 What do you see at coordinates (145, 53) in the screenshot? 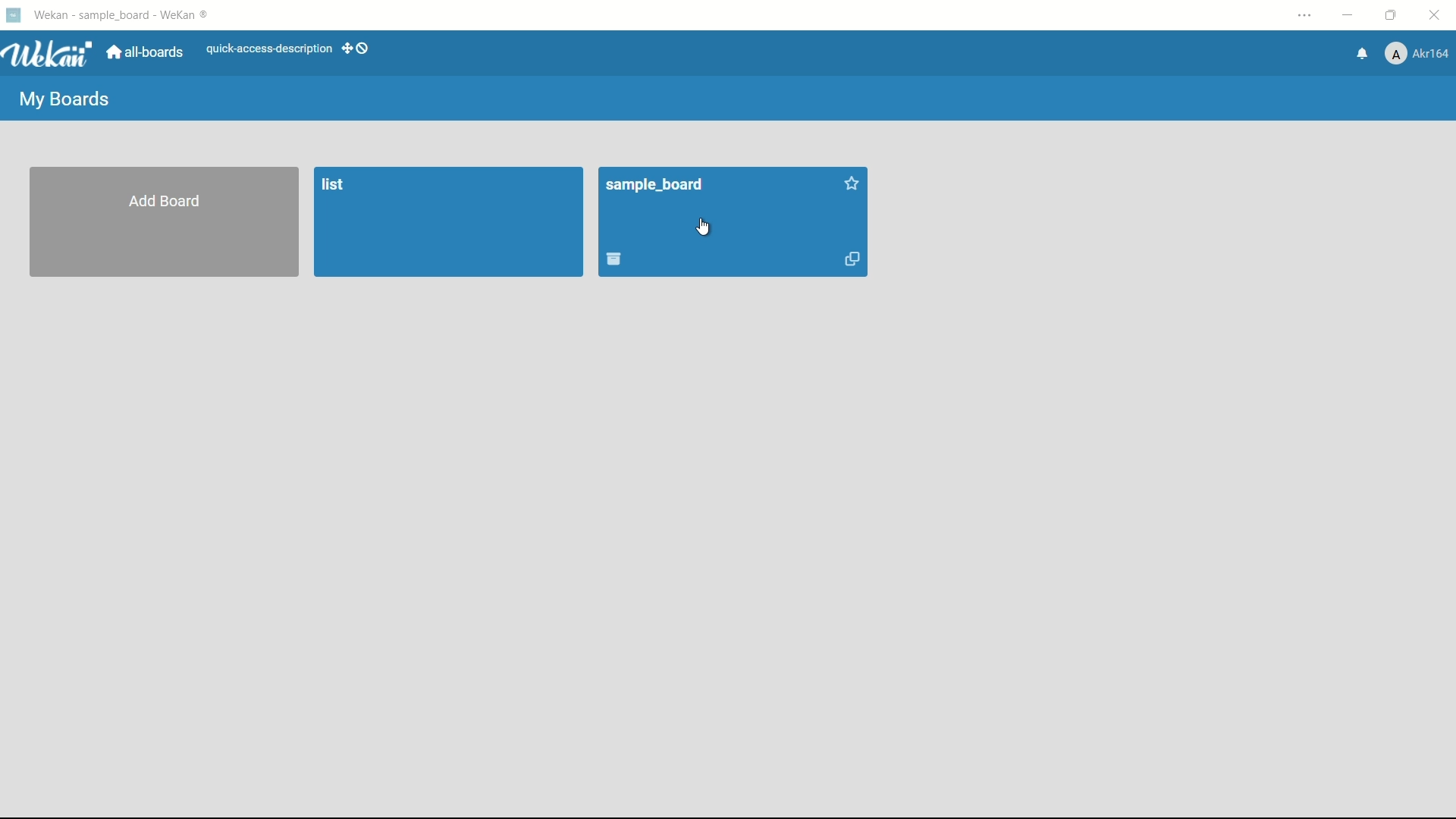
I see `all-boards` at bounding box center [145, 53].